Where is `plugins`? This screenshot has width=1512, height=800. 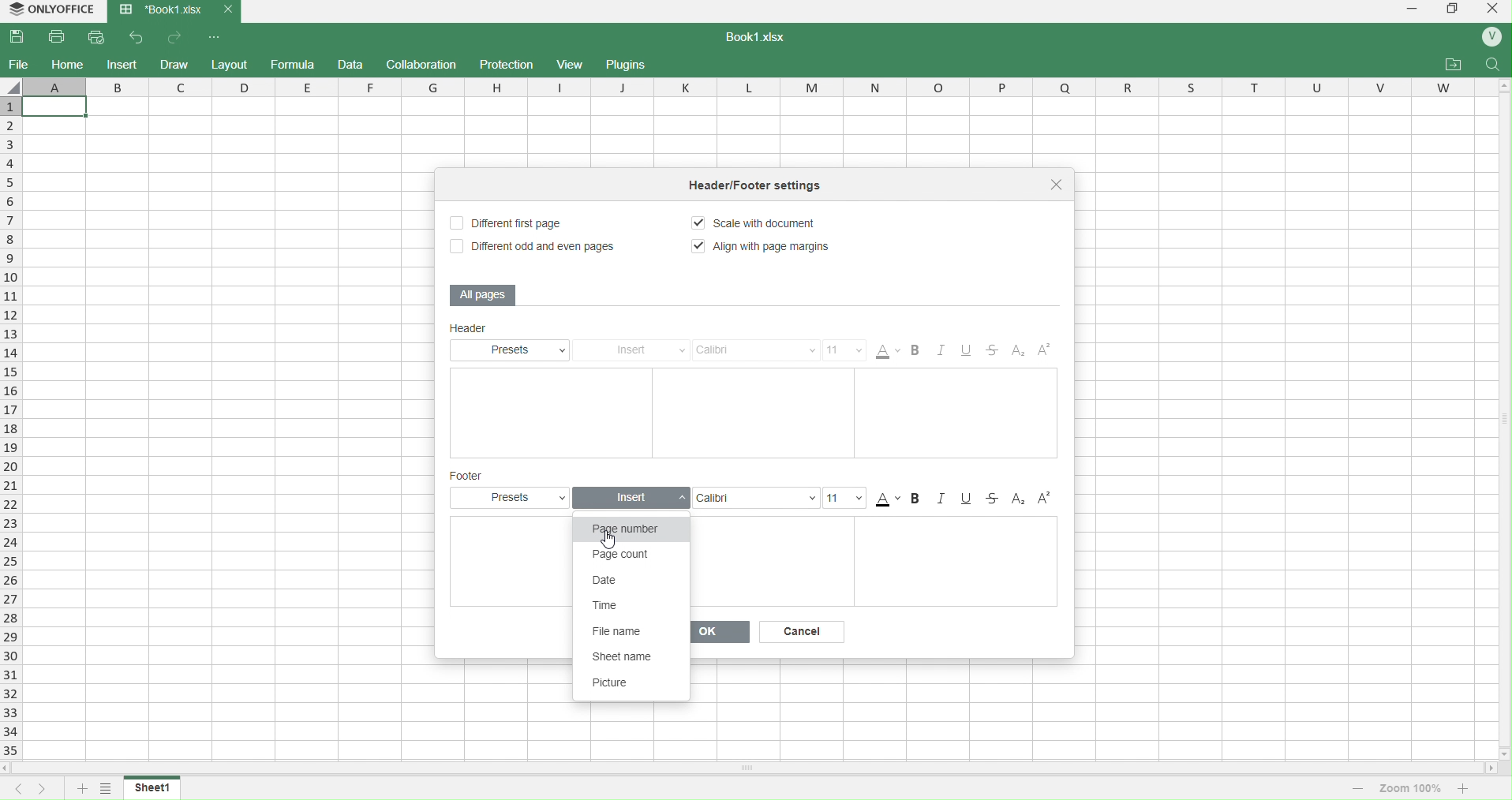
plugins is located at coordinates (631, 65).